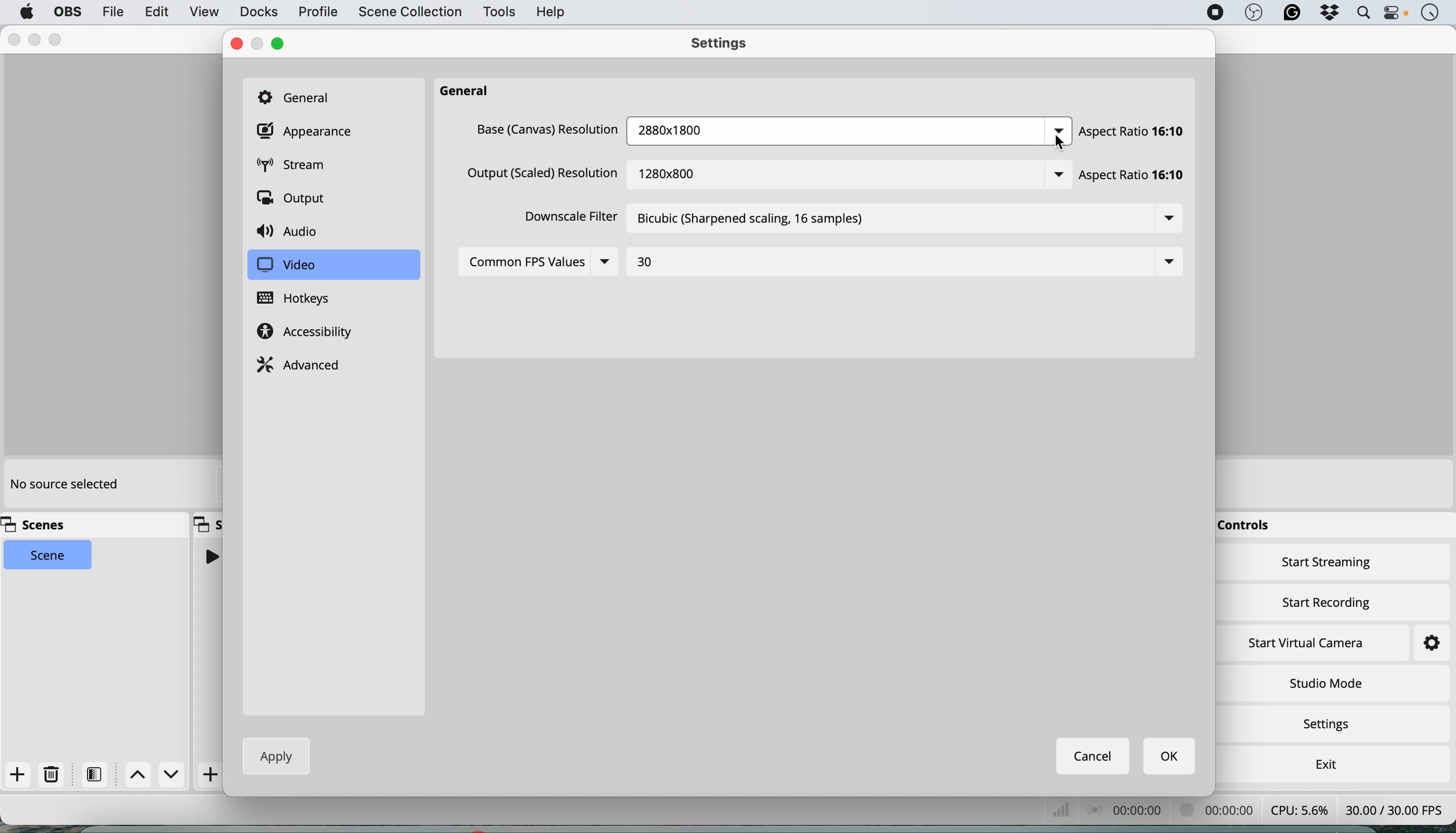 This screenshot has width=1456, height=833. Describe the element at coordinates (27, 12) in the screenshot. I see `system logo` at that location.